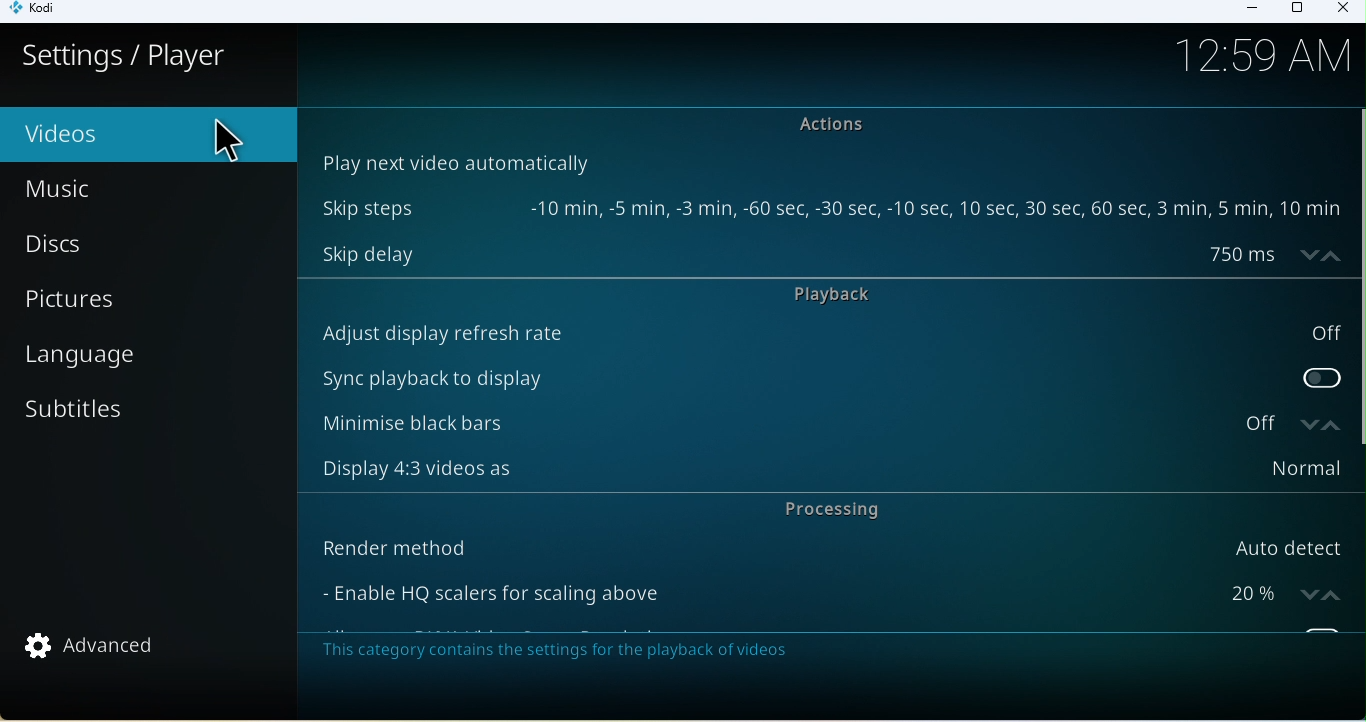 This screenshot has height=722, width=1366. What do you see at coordinates (798, 253) in the screenshot?
I see `Skip delay` at bounding box center [798, 253].